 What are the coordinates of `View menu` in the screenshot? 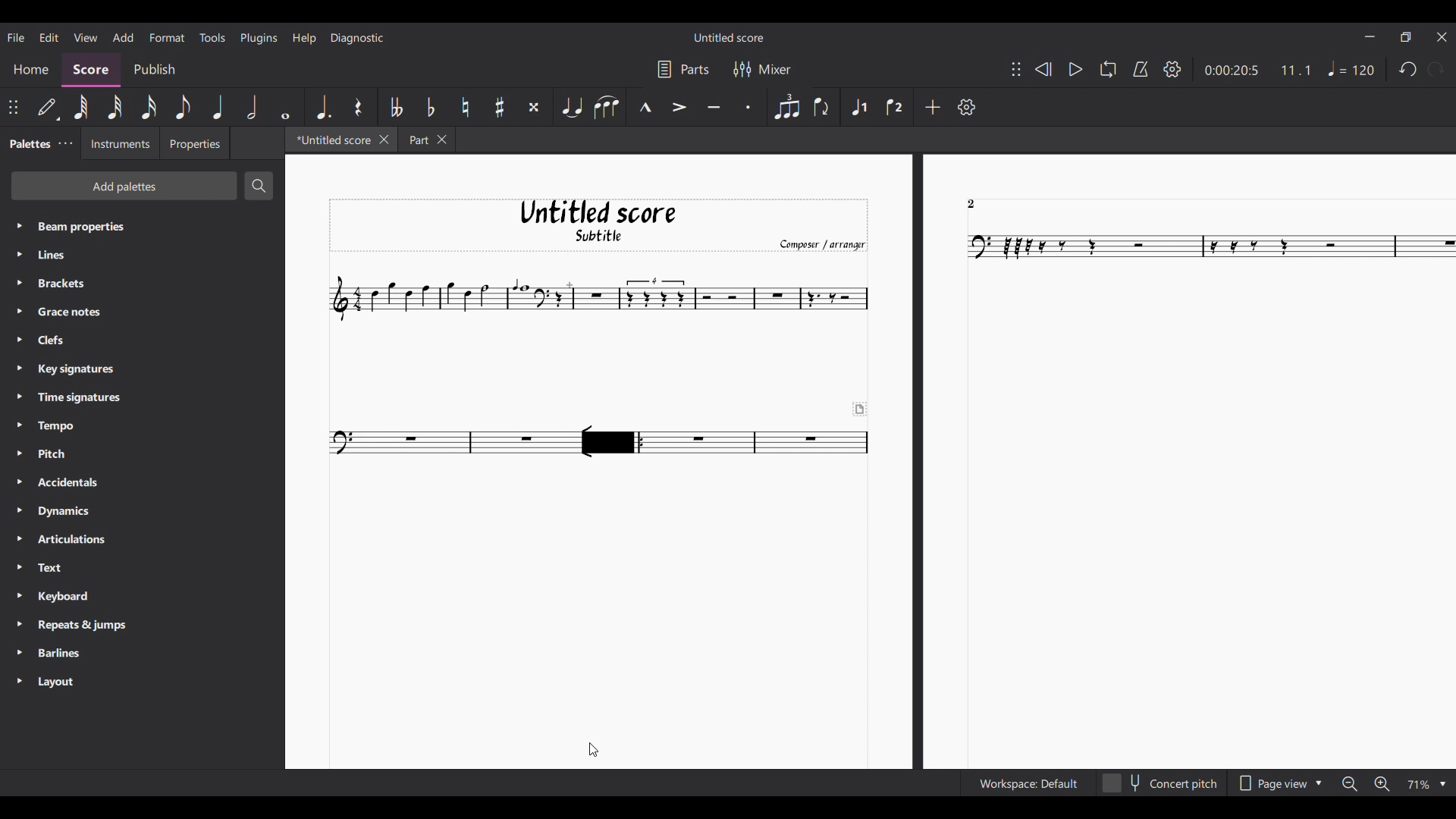 It's located at (86, 38).